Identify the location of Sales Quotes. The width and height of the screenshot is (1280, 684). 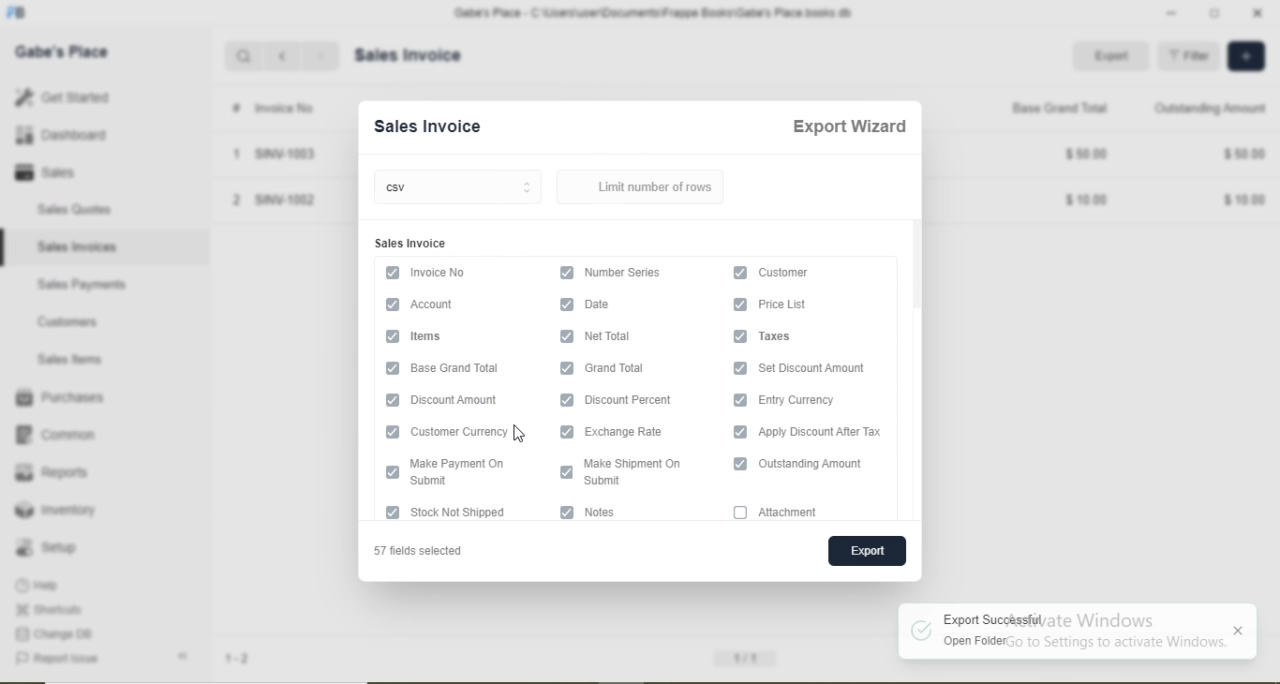
(86, 209).